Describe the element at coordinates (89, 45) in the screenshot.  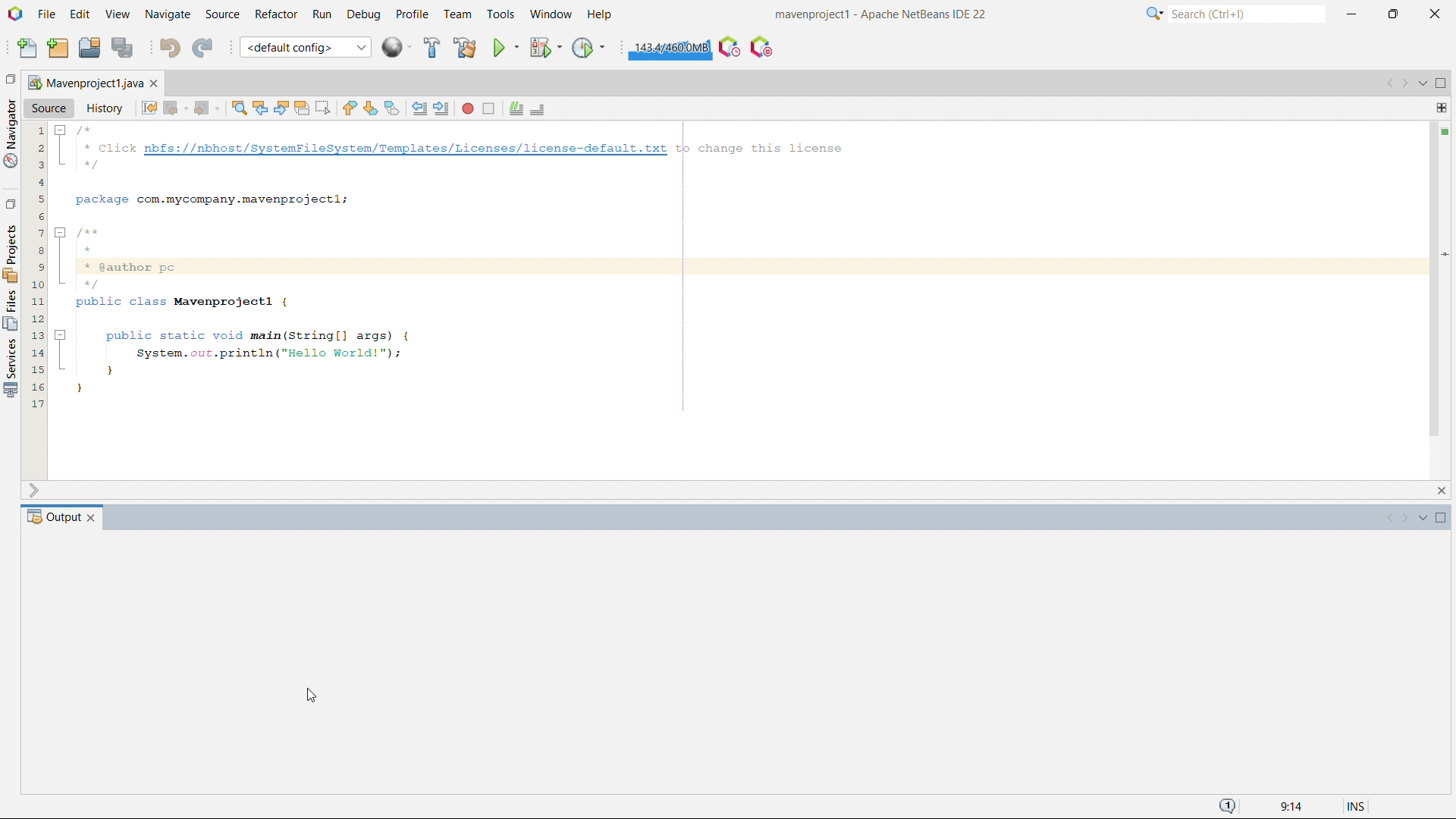
I see `open project` at that location.